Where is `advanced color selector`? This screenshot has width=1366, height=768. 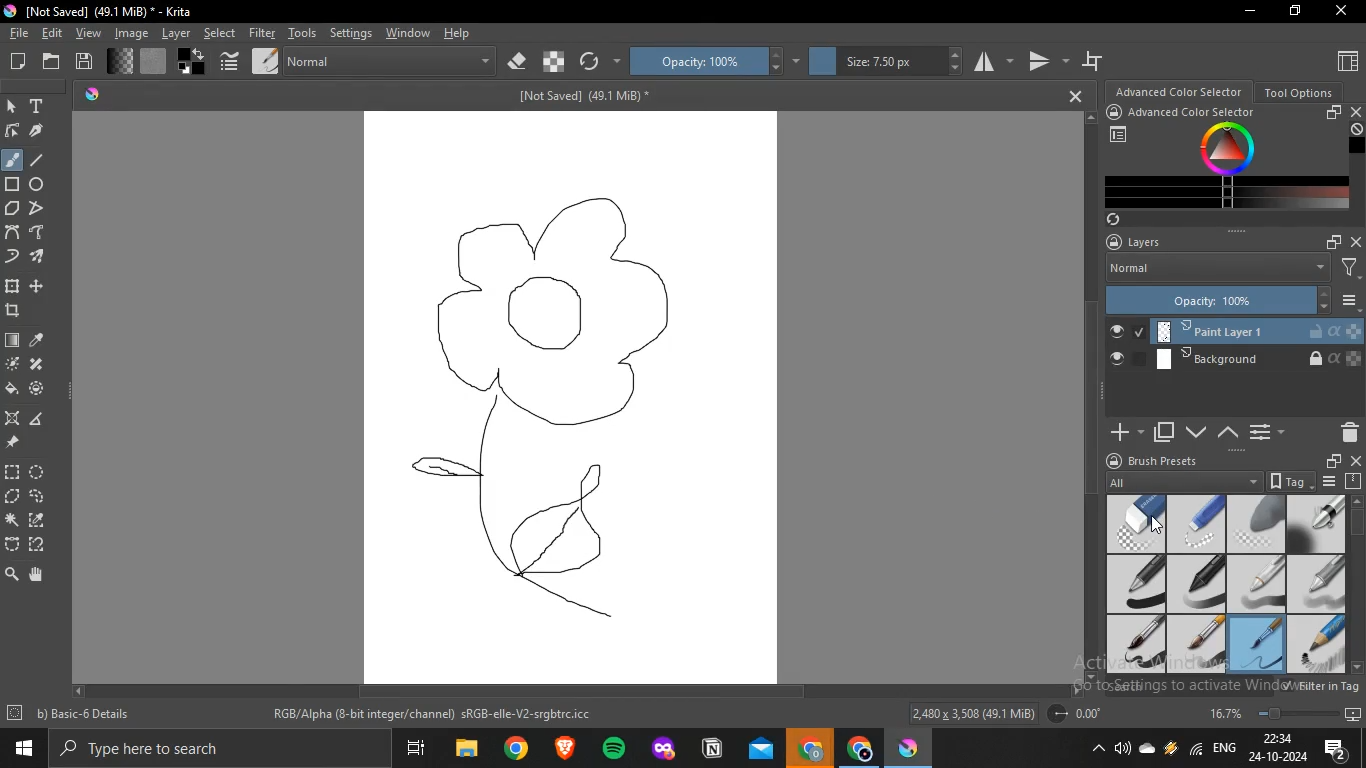 advanced color selector is located at coordinates (1198, 112).